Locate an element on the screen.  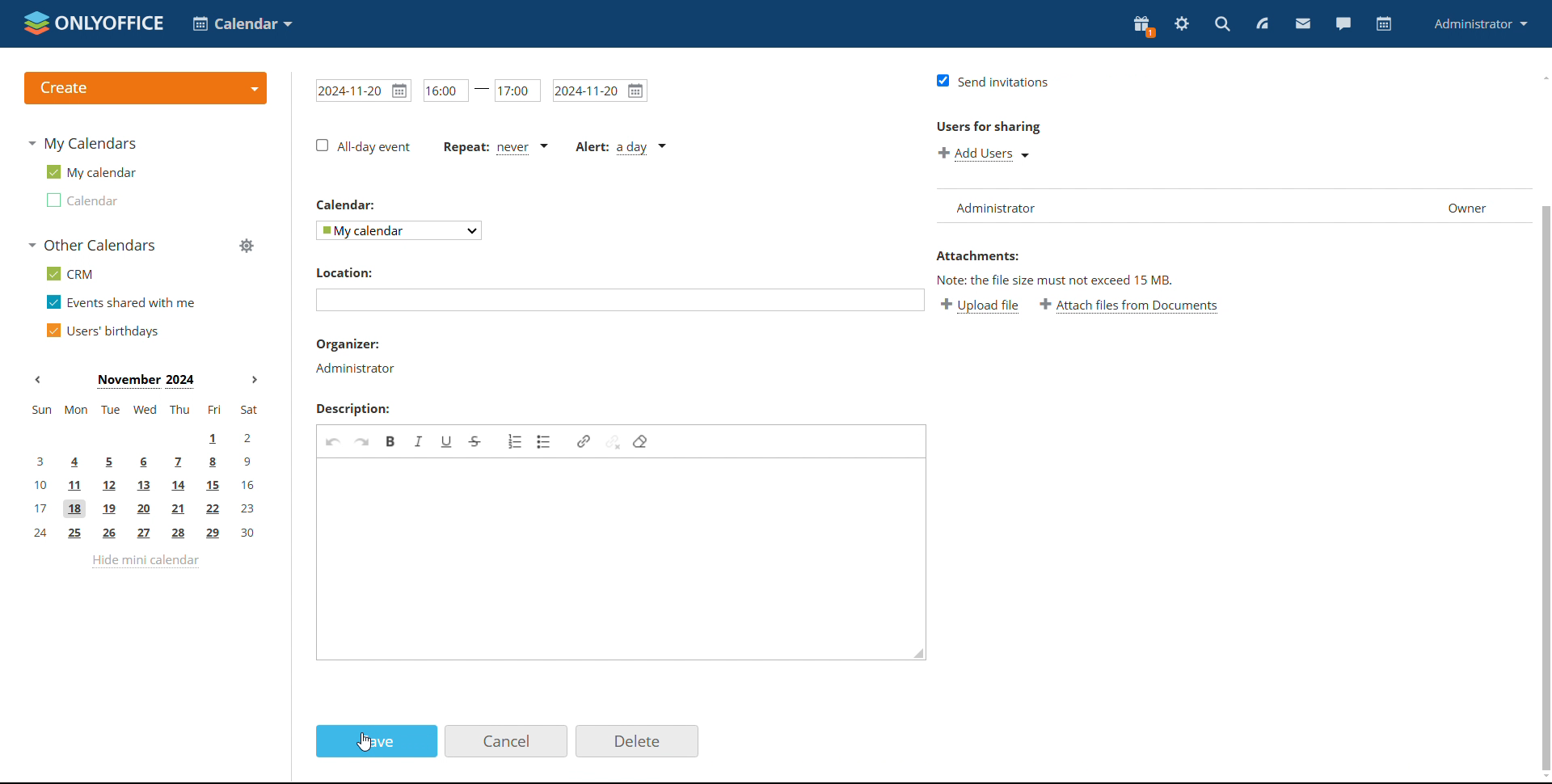
events shared with me is located at coordinates (121, 301).